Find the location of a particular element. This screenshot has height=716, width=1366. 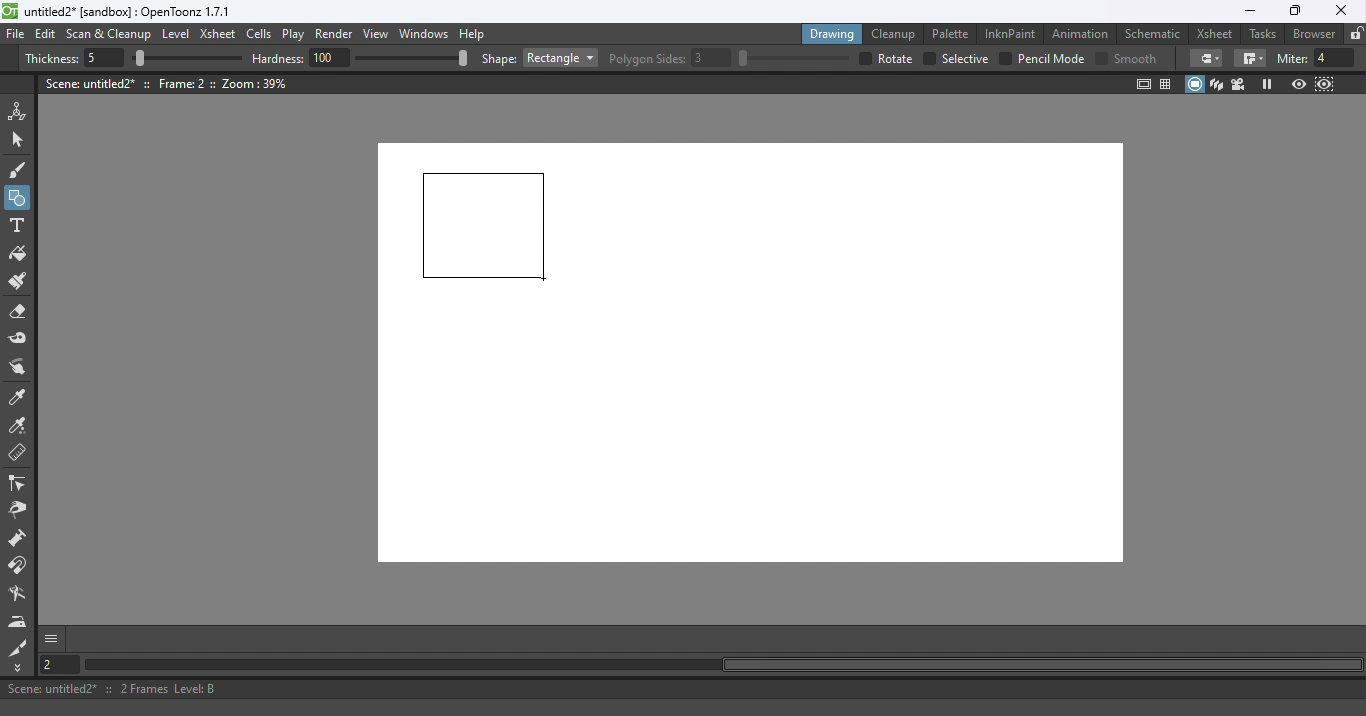

Finger tool is located at coordinates (18, 369).